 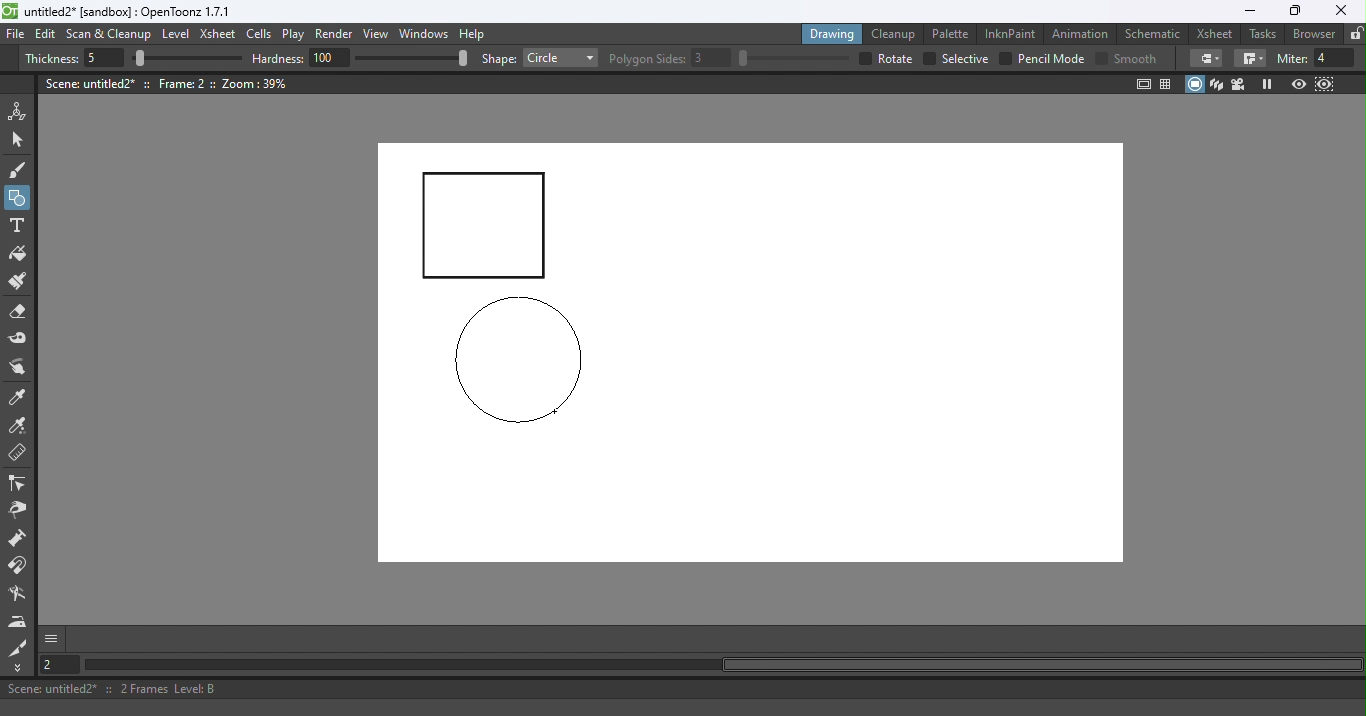 What do you see at coordinates (1138, 58) in the screenshot?
I see `smooth` at bounding box center [1138, 58].